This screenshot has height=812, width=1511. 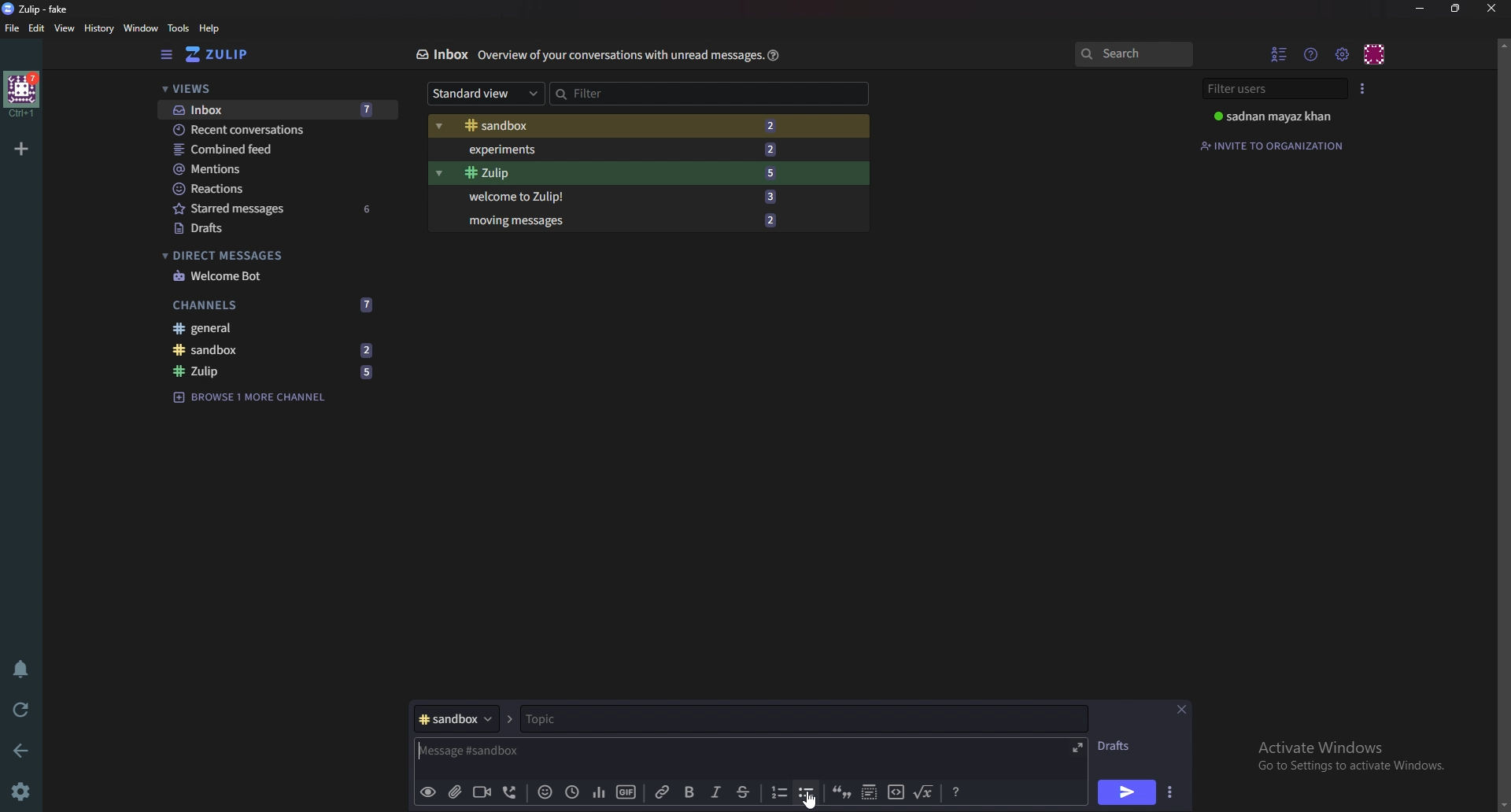 I want to click on Compose message, so click(x=611, y=751).